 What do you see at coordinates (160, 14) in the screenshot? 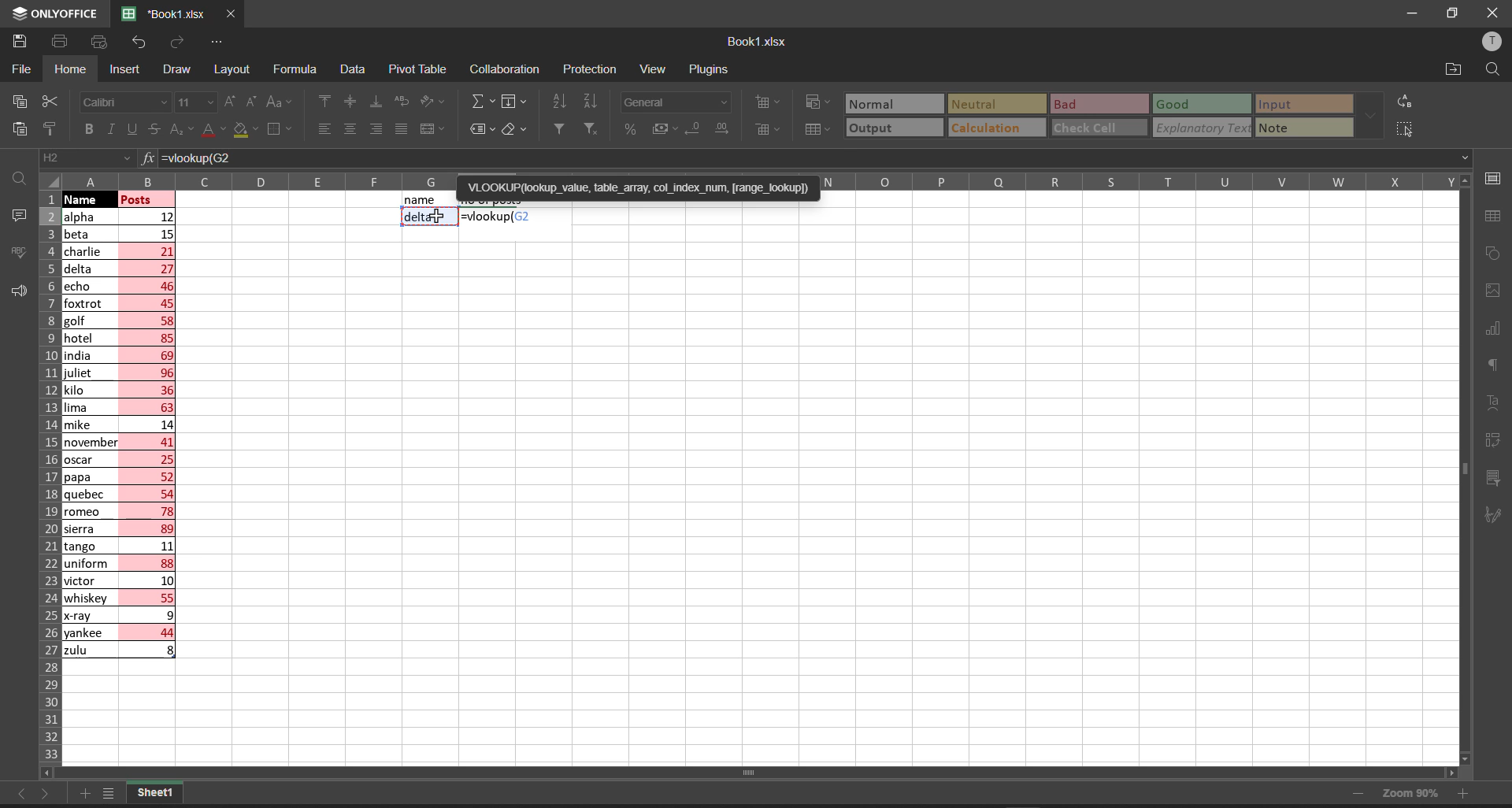
I see `'Book1.xlsx` at bounding box center [160, 14].